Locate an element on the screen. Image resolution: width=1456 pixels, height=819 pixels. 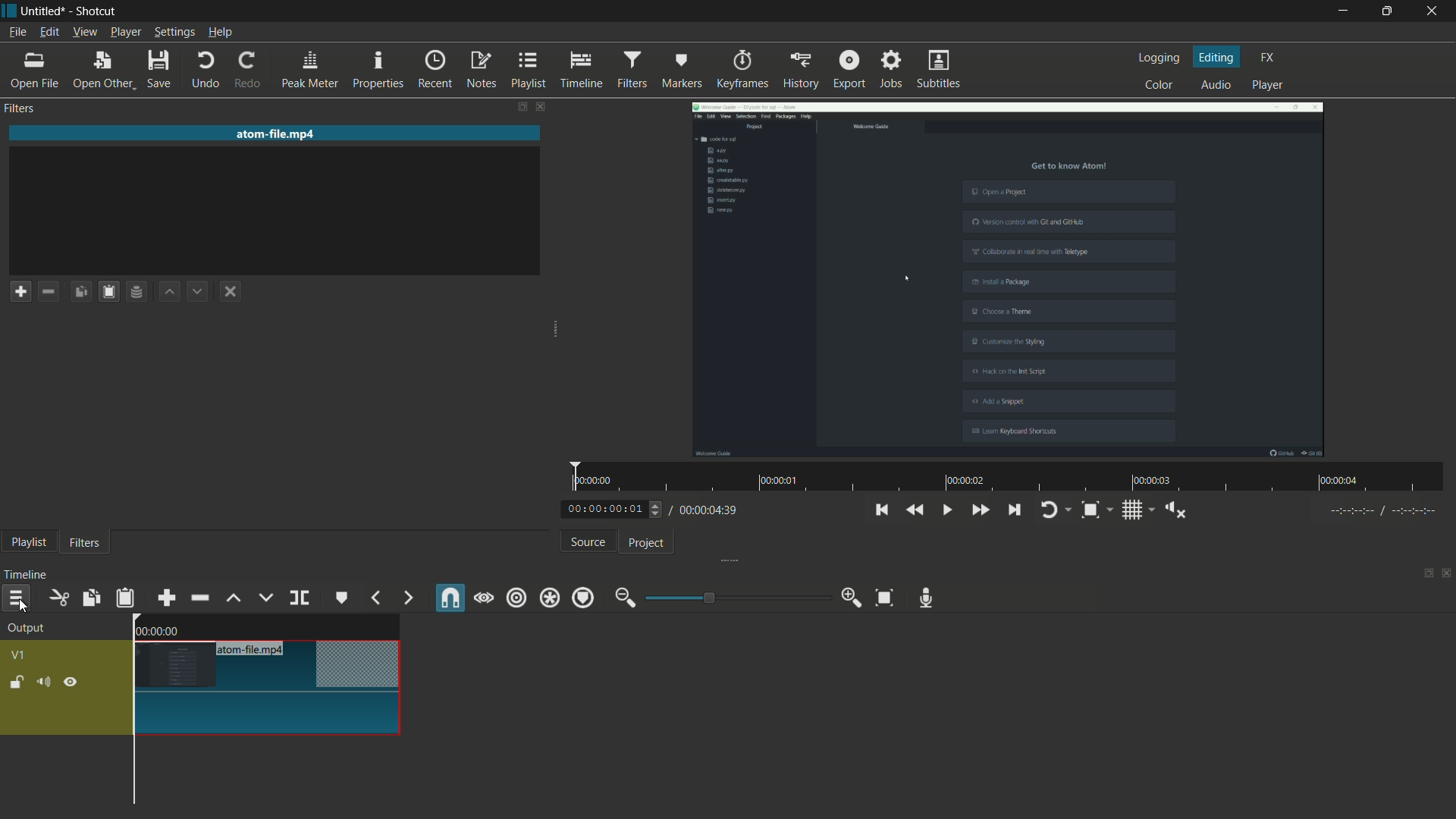
create or edit marker is located at coordinates (342, 598).